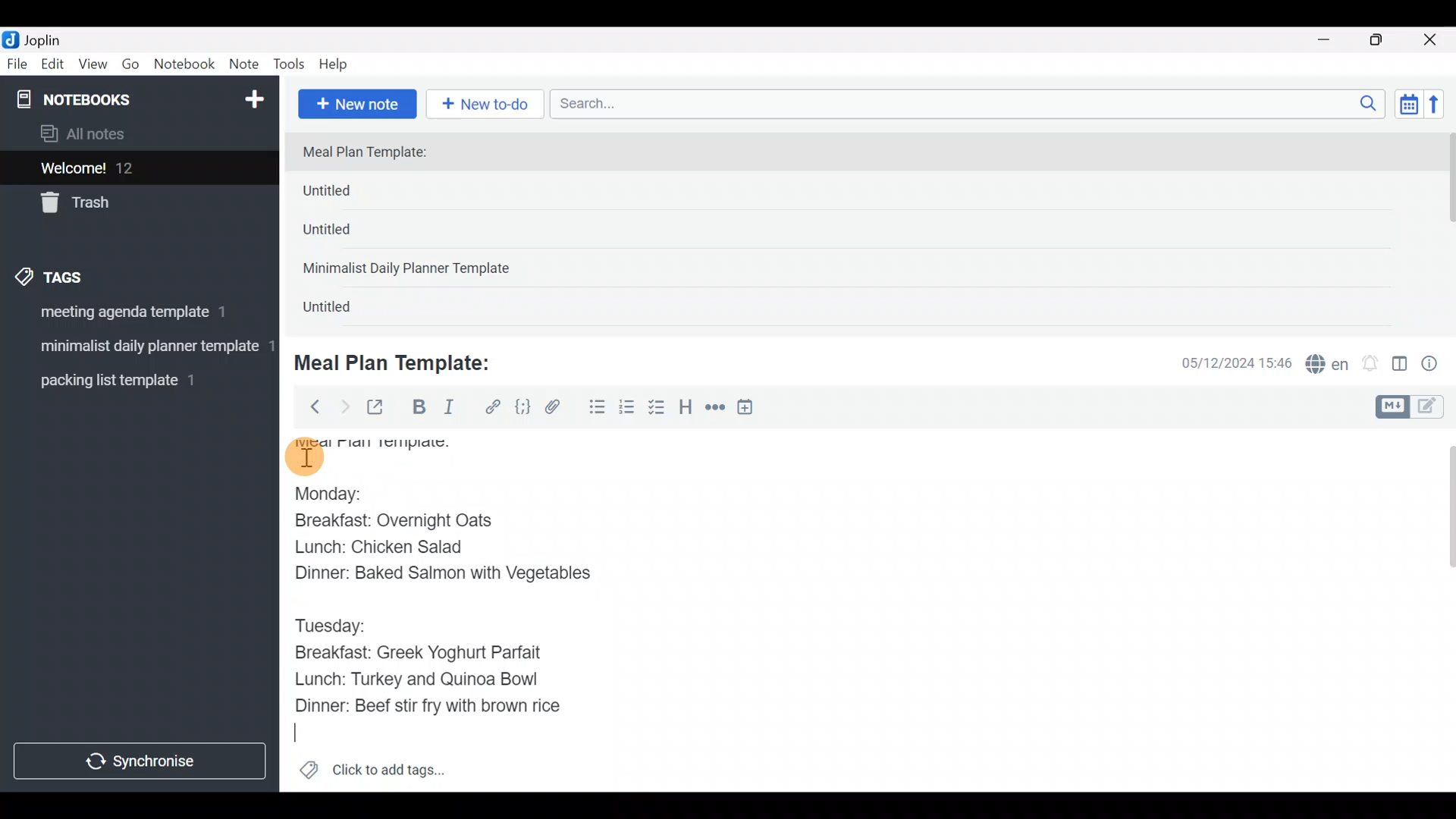  Describe the element at coordinates (139, 348) in the screenshot. I see `Tag 2` at that location.